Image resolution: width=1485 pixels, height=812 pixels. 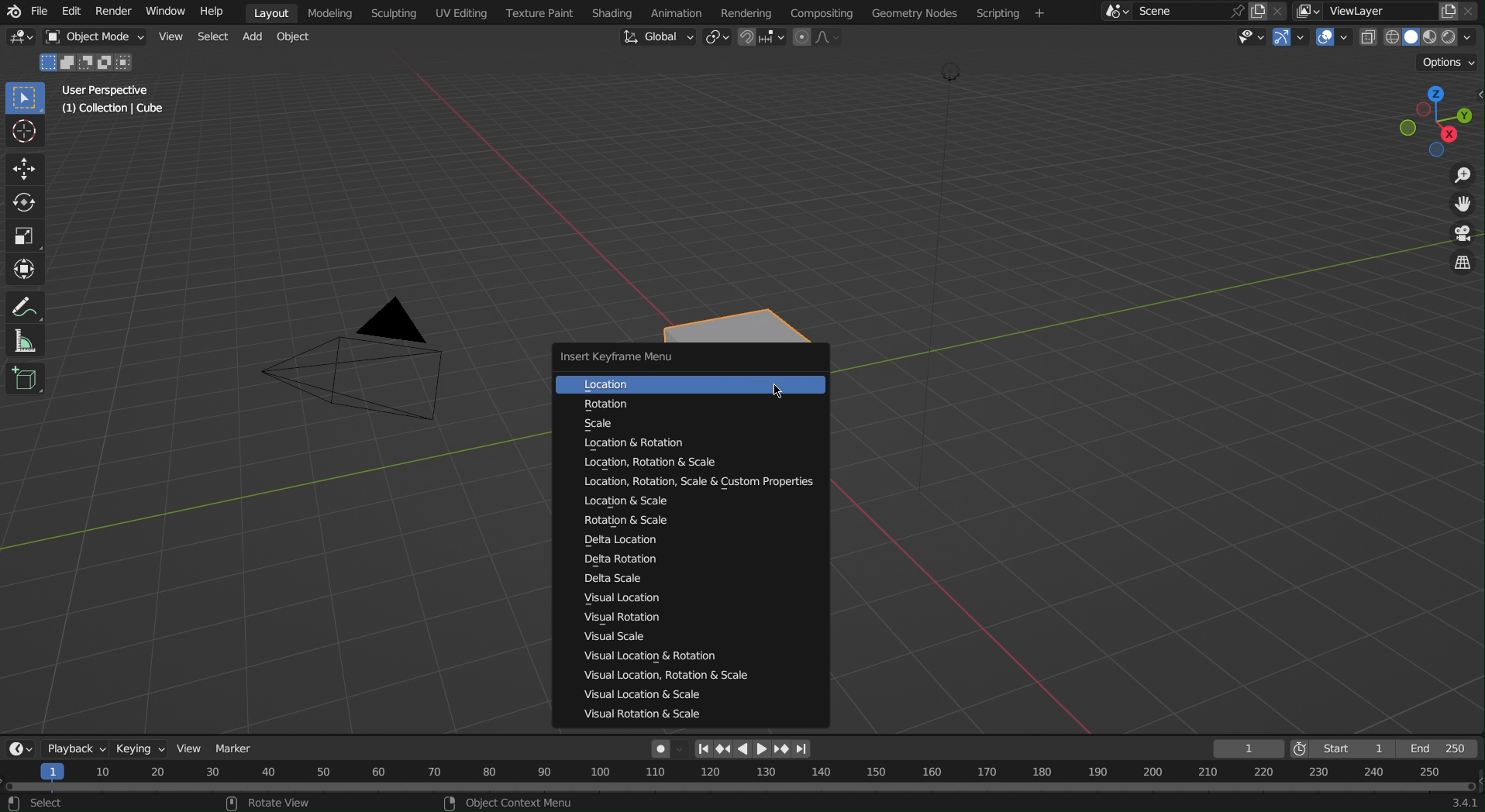 I want to click on Show Gizmo, so click(x=1291, y=40).